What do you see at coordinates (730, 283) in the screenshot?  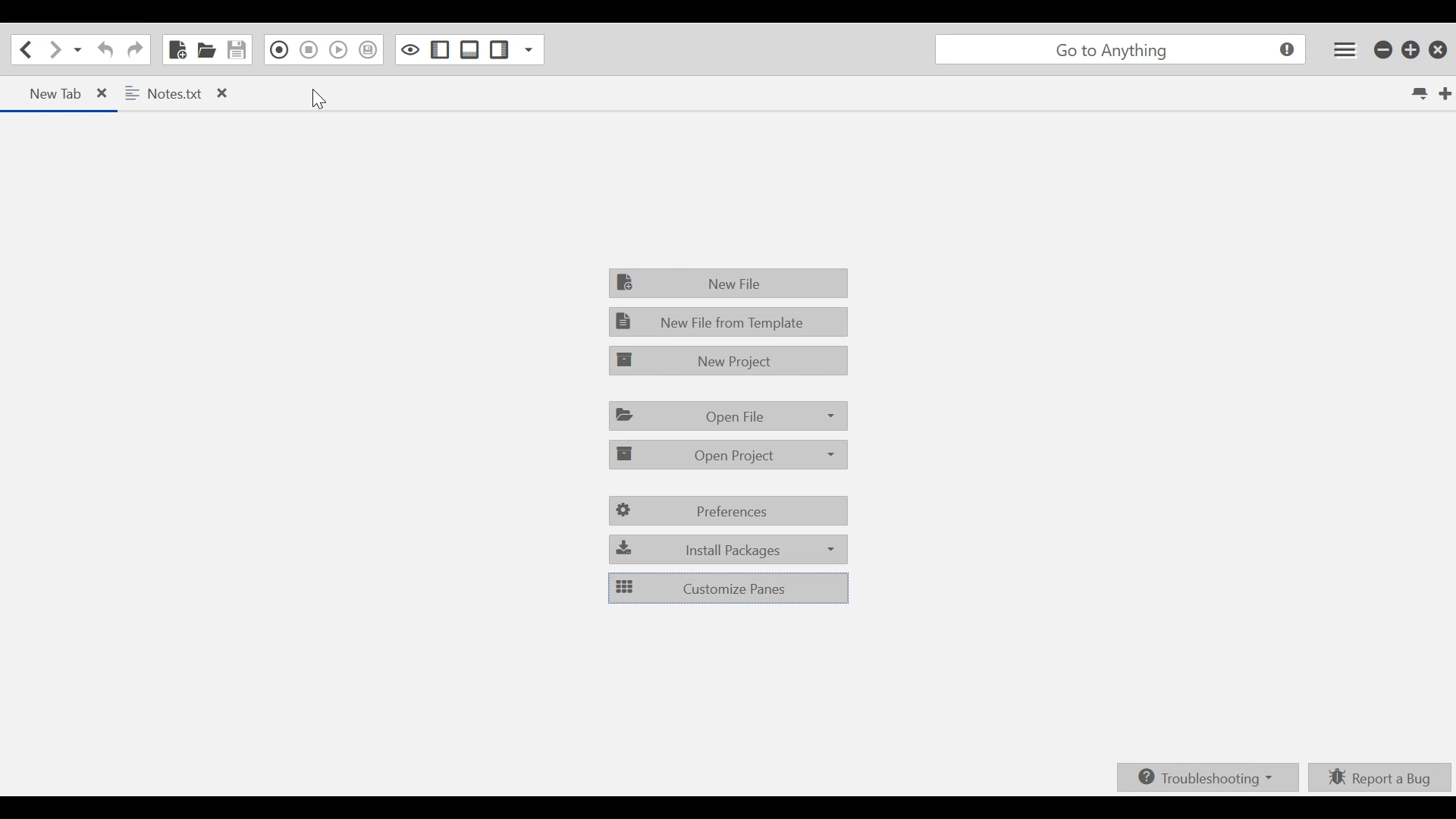 I see `New File` at bounding box center [730, 283].